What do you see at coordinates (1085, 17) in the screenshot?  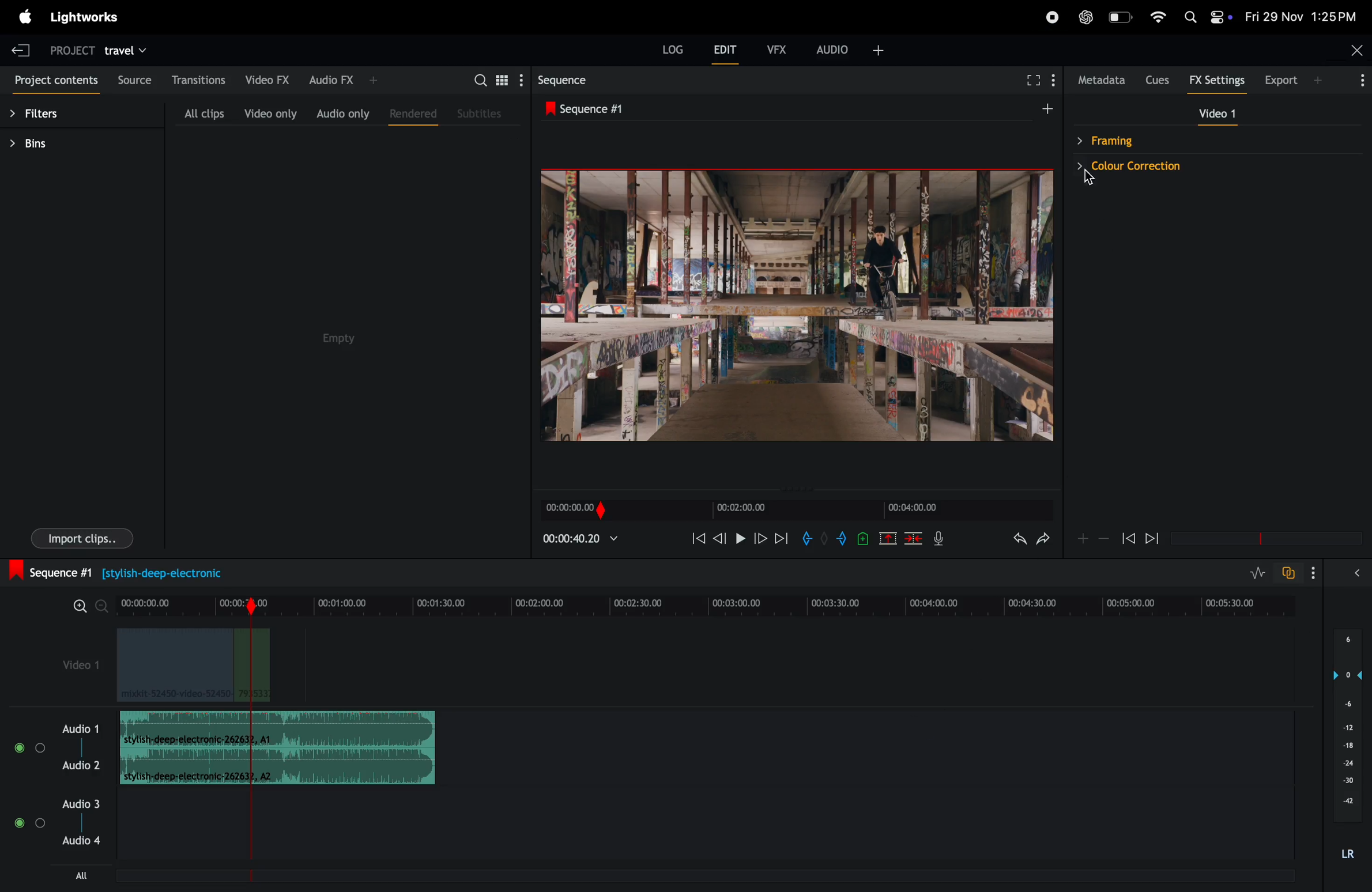 I see `chatgpt` at bounding box center [1085, 17].